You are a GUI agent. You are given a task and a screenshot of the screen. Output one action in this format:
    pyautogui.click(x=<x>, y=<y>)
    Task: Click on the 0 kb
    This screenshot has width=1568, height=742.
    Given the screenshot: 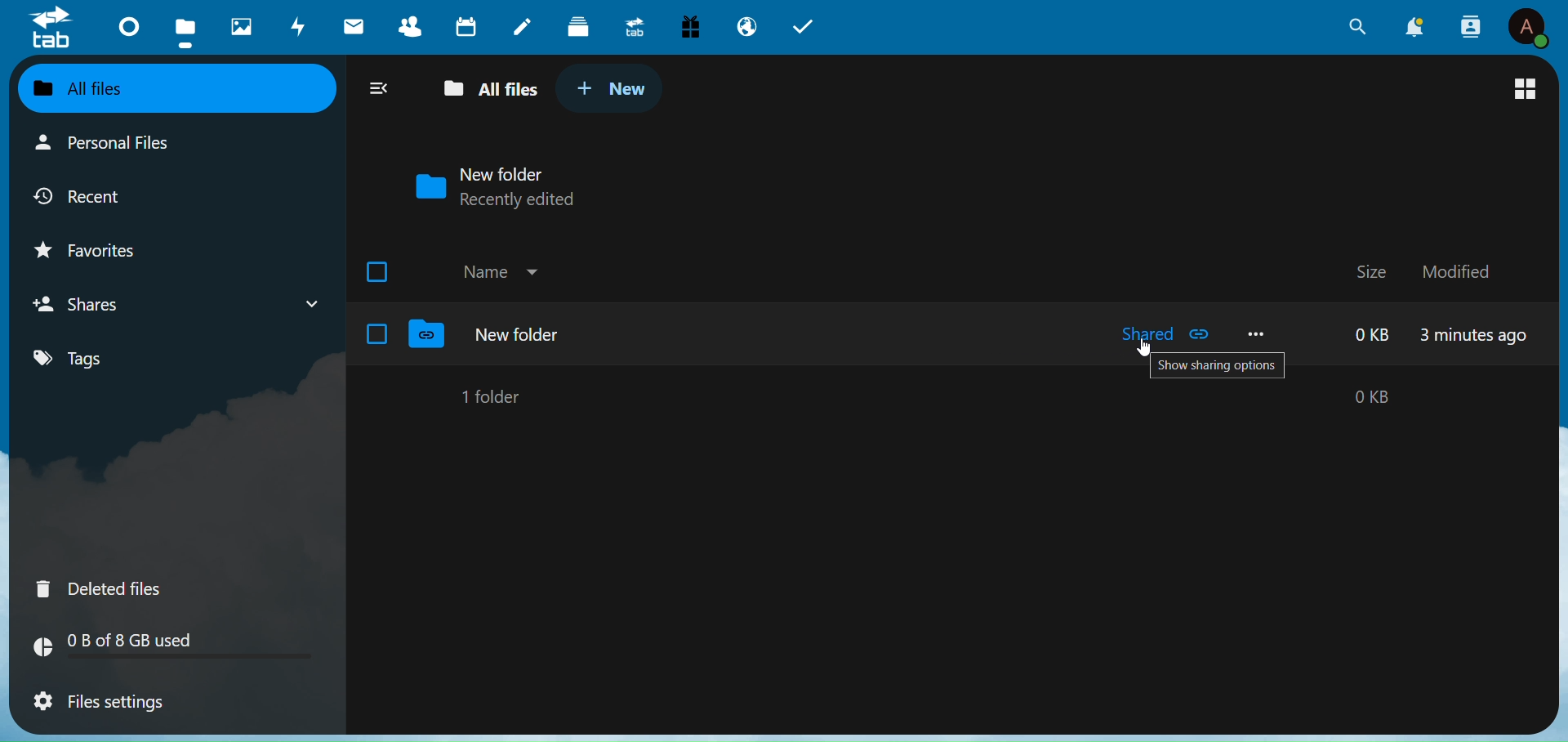 What is the action you would take?
    pyautogui.click(x=1334, y=397)
    